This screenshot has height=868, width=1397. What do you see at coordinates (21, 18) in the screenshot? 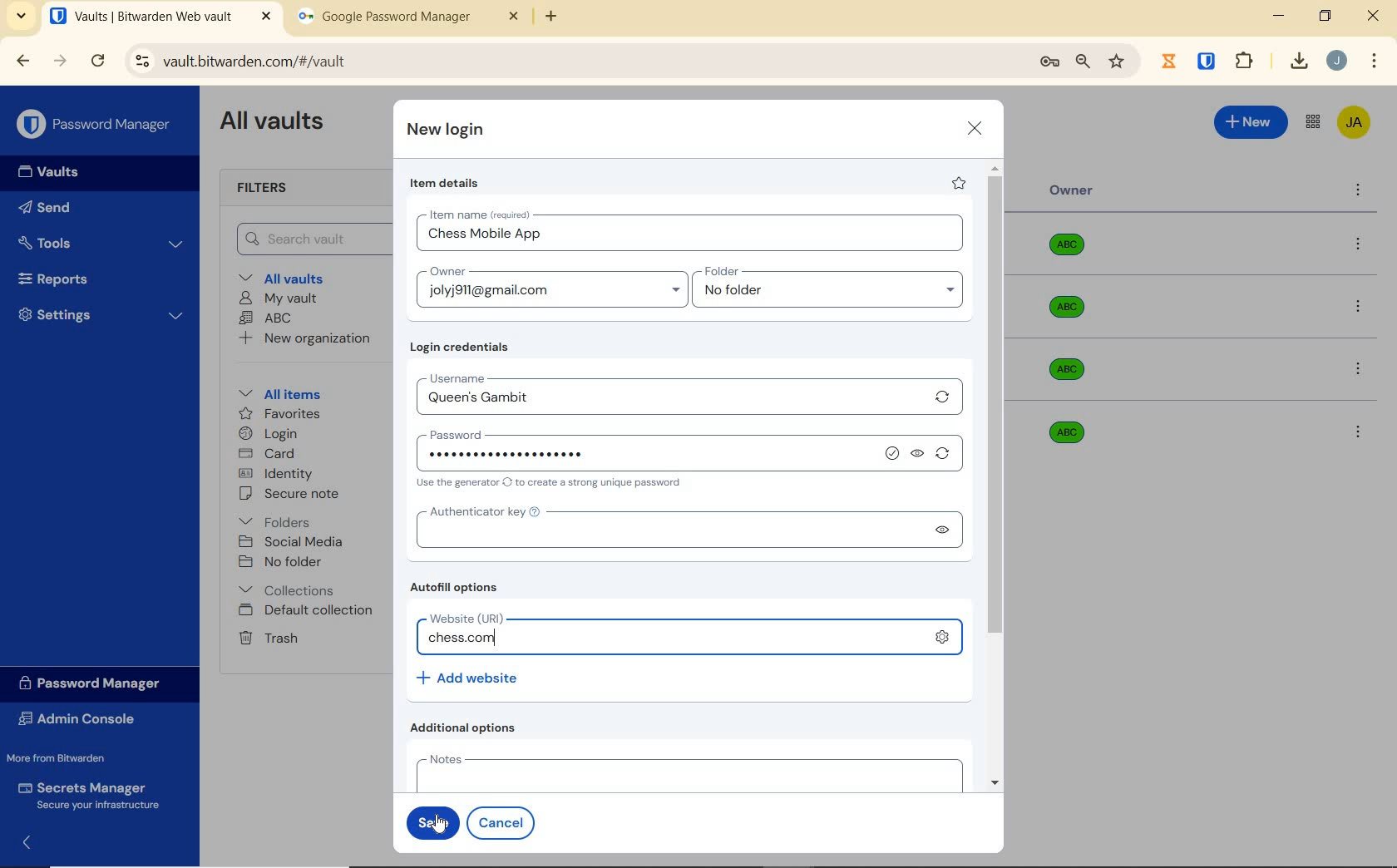
I see `search tabs` at bounding box center [21, 18].